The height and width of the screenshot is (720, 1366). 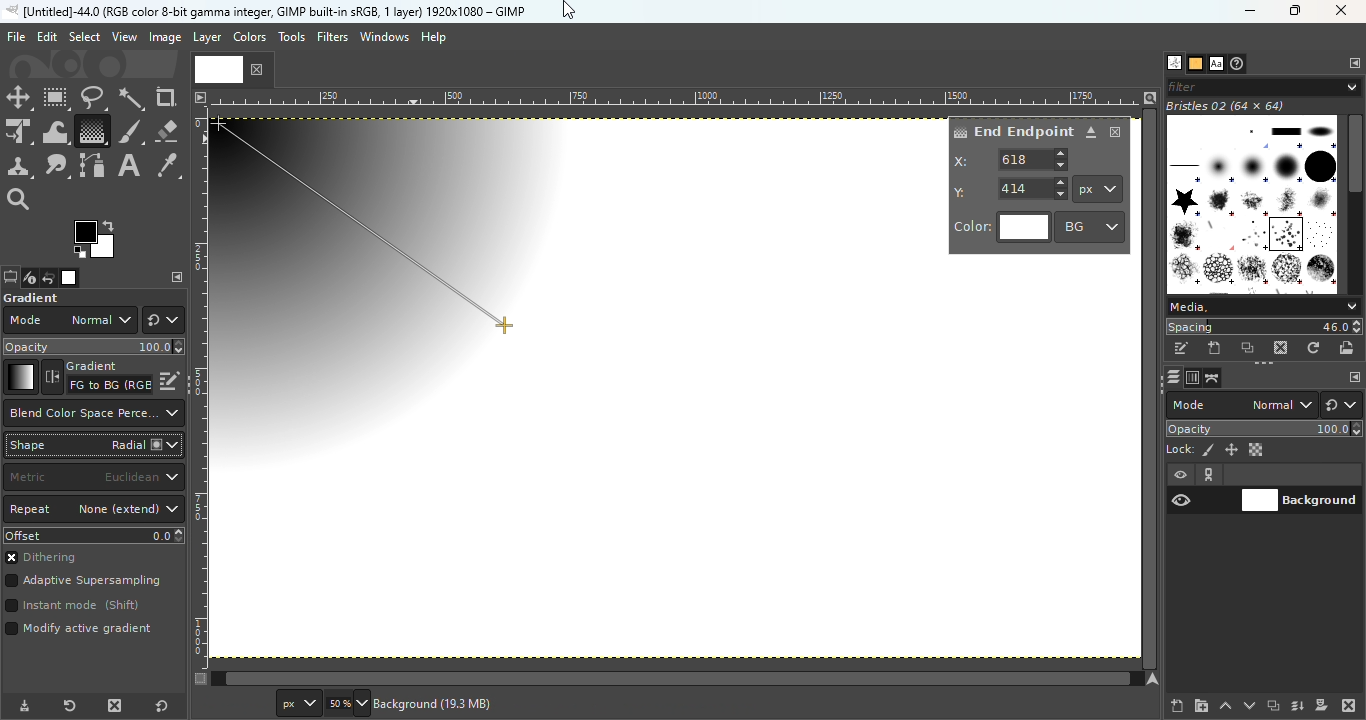 I want to click on Vertical scroll bar, so click(x=667, y=679).